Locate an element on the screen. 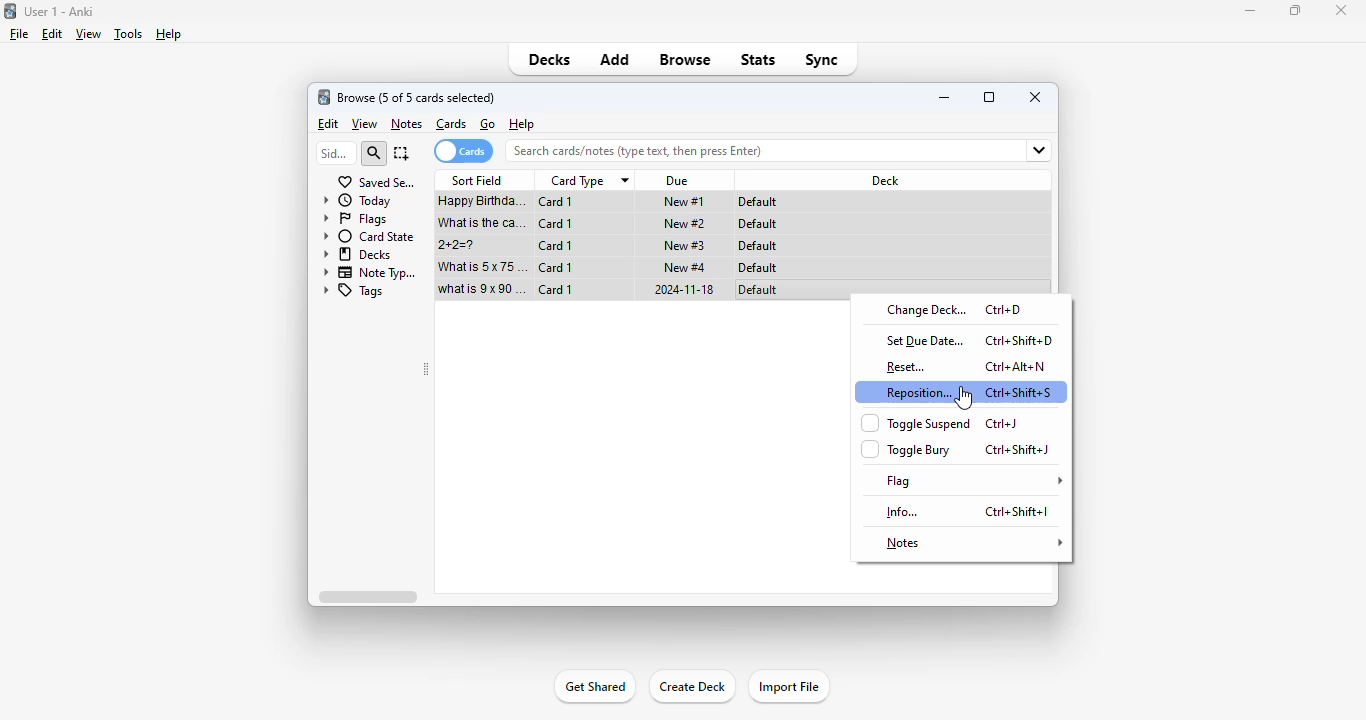 This screenshot has width=1366, height=720. deck is located at coordinates (887, 180).